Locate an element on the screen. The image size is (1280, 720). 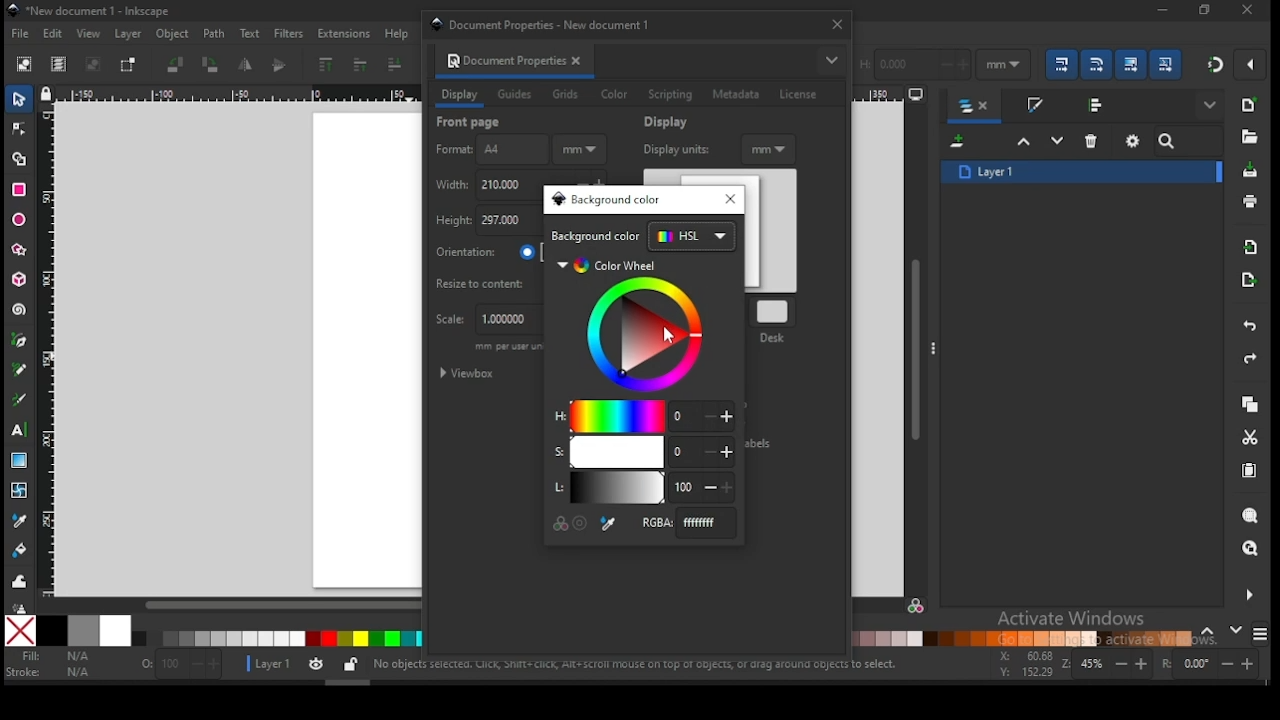
width is located at coordinates (486, 185).